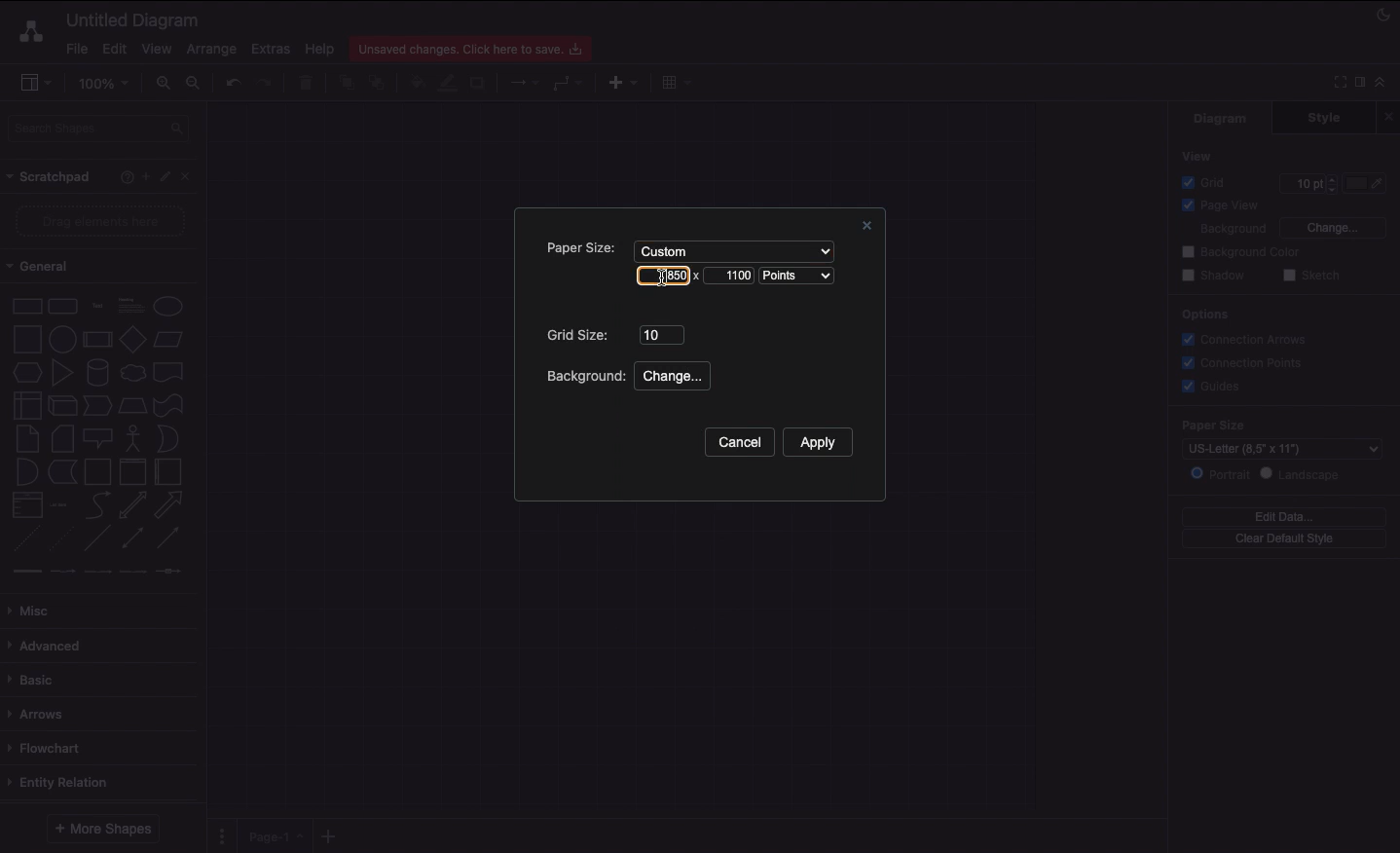  Describe the element at coordinates (168, 437) in the screenshot. I see `Or` at that location.